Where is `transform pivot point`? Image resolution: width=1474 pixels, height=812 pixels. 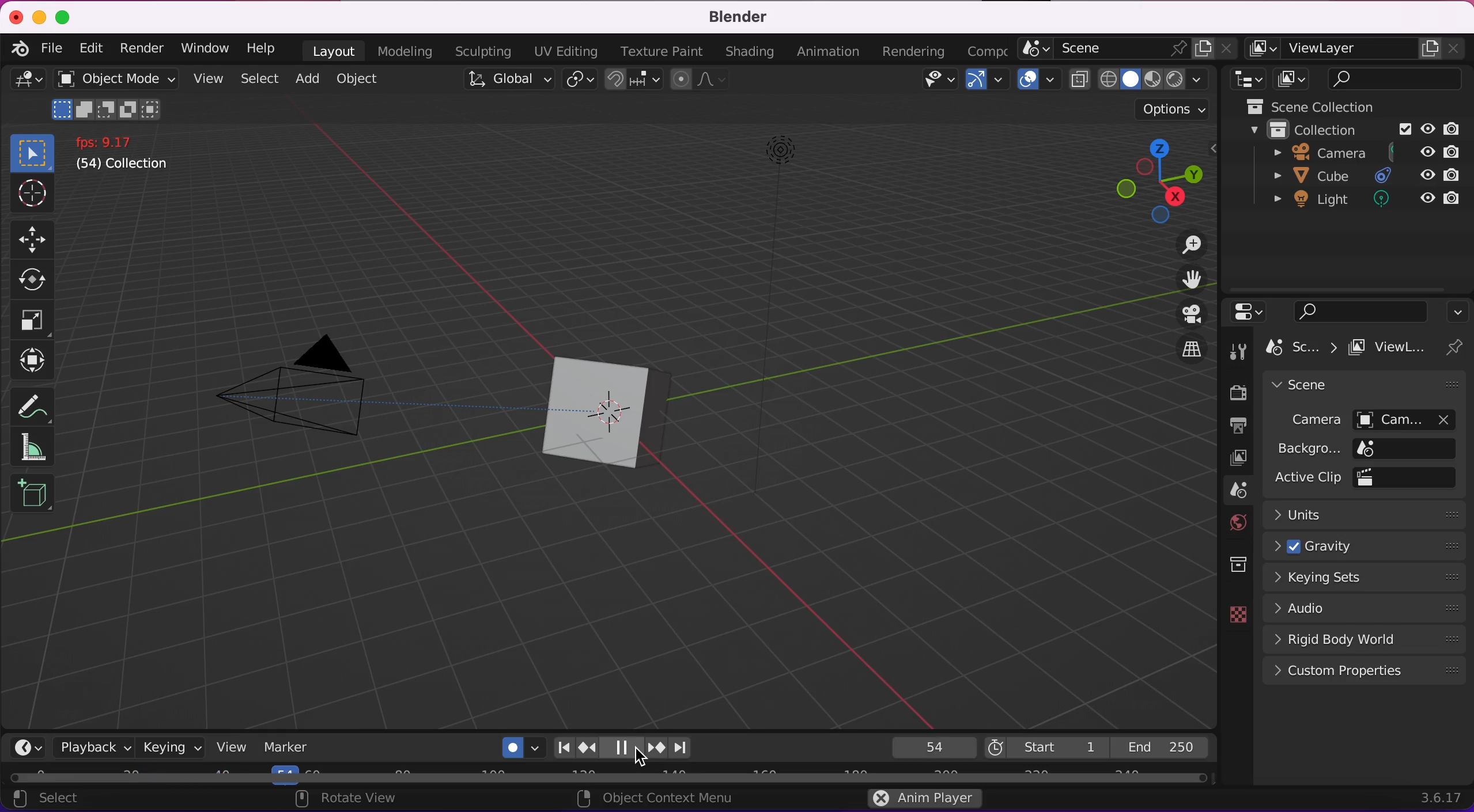 transform pivot point is located at coordinates (577, 80).